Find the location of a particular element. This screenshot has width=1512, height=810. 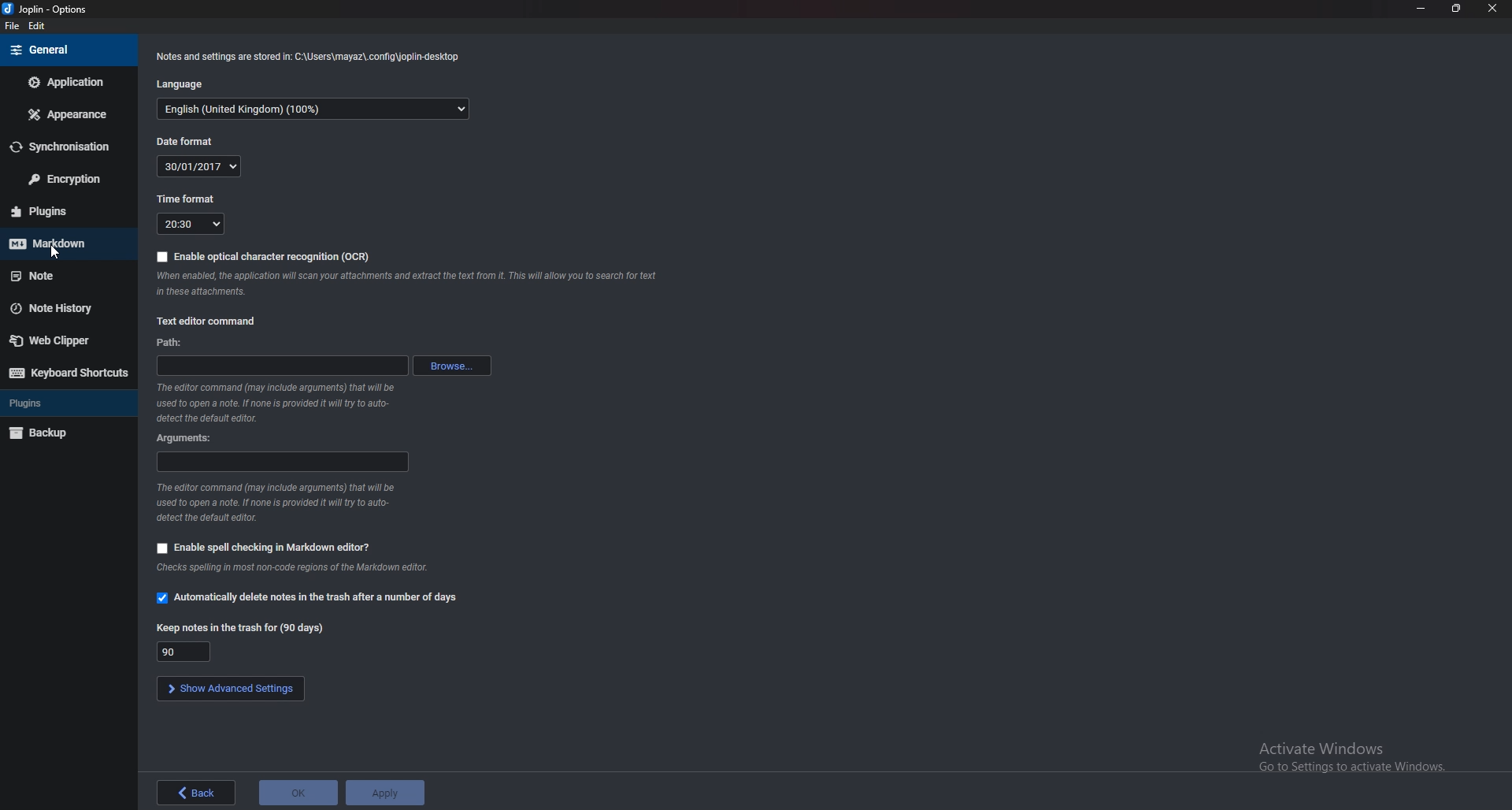

file is located at coordinates (11, 27).